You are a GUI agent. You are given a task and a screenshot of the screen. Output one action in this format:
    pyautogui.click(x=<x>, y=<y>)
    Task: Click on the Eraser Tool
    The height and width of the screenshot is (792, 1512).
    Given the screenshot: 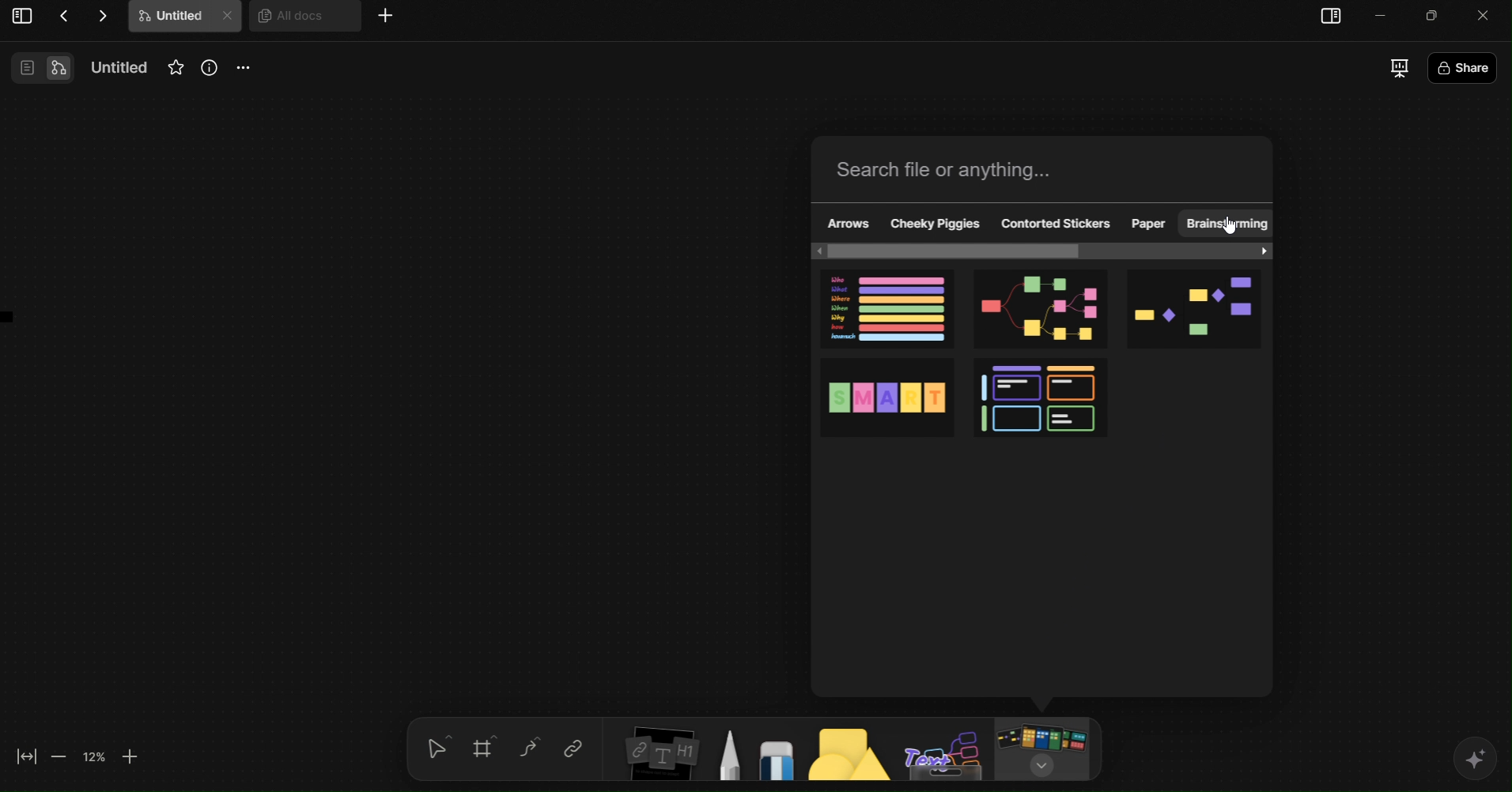 What is the action you would take?
    pyautogui.click(x=776, y=754)
    